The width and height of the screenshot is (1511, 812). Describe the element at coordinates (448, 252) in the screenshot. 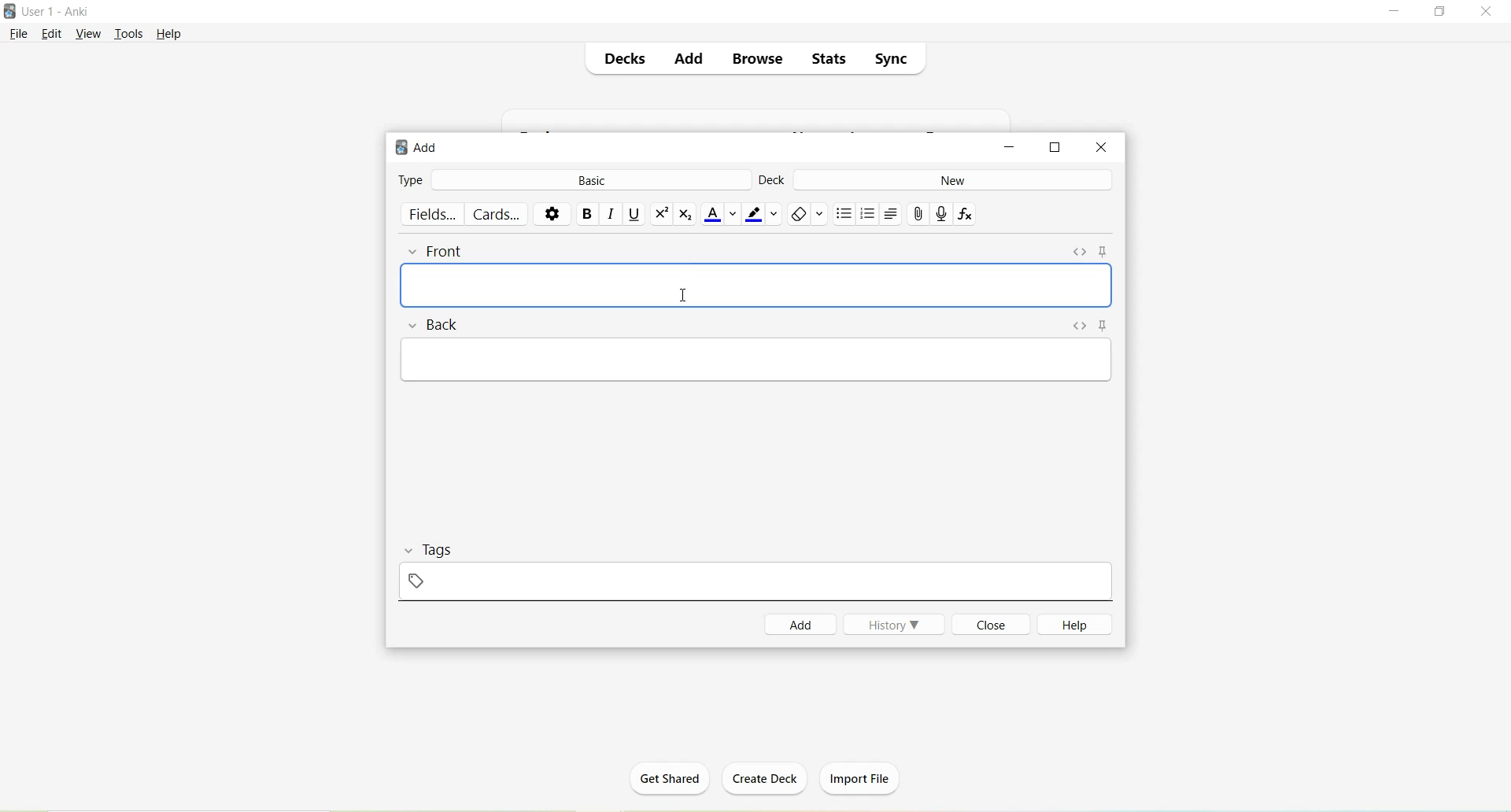

I see `Front` at that location.